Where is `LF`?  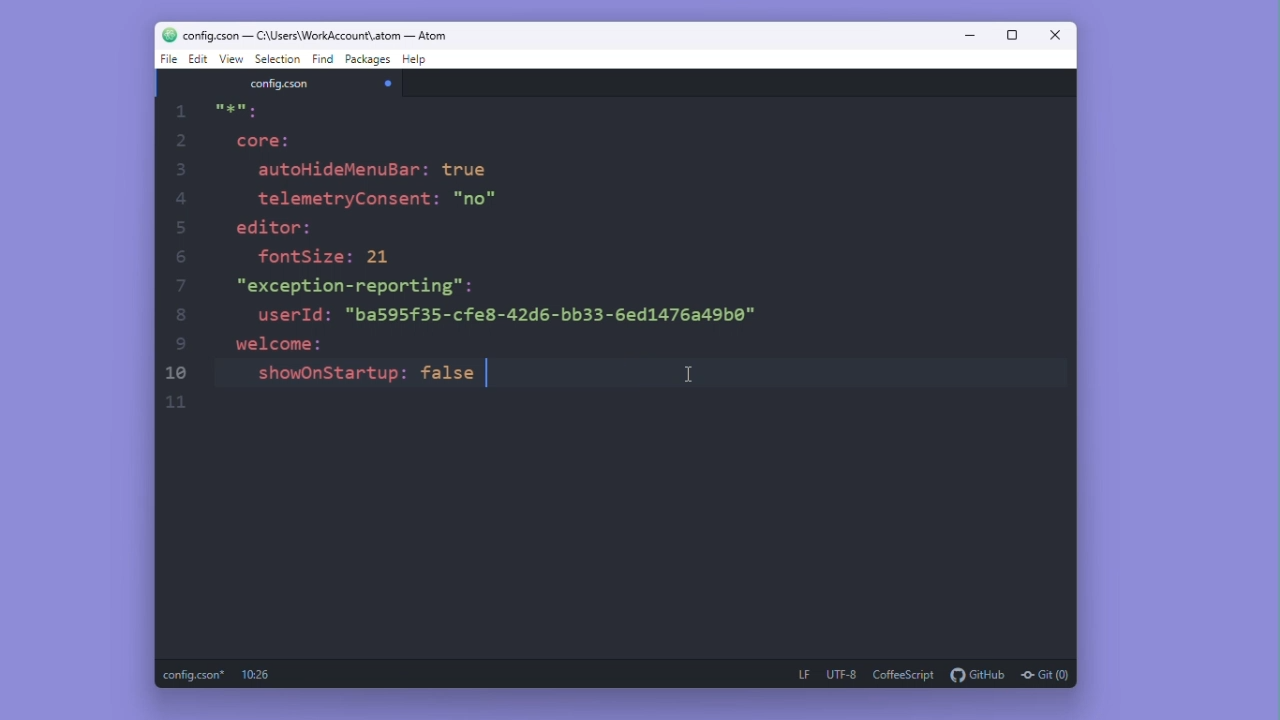 LF is located at coordinates (800, 673).